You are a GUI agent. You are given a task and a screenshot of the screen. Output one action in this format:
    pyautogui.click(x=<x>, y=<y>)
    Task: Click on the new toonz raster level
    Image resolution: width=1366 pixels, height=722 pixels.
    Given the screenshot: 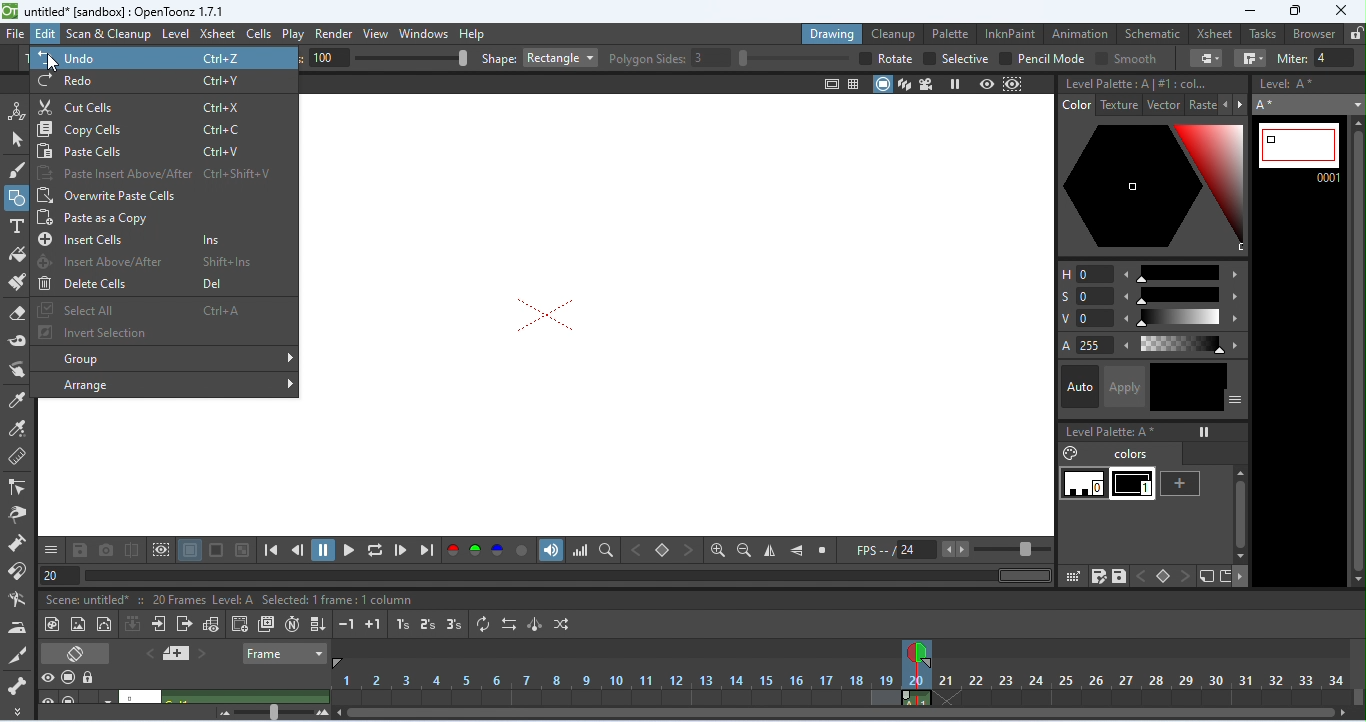 What is the action you would take?
    pyautogui.click(x=52, y=623)
    